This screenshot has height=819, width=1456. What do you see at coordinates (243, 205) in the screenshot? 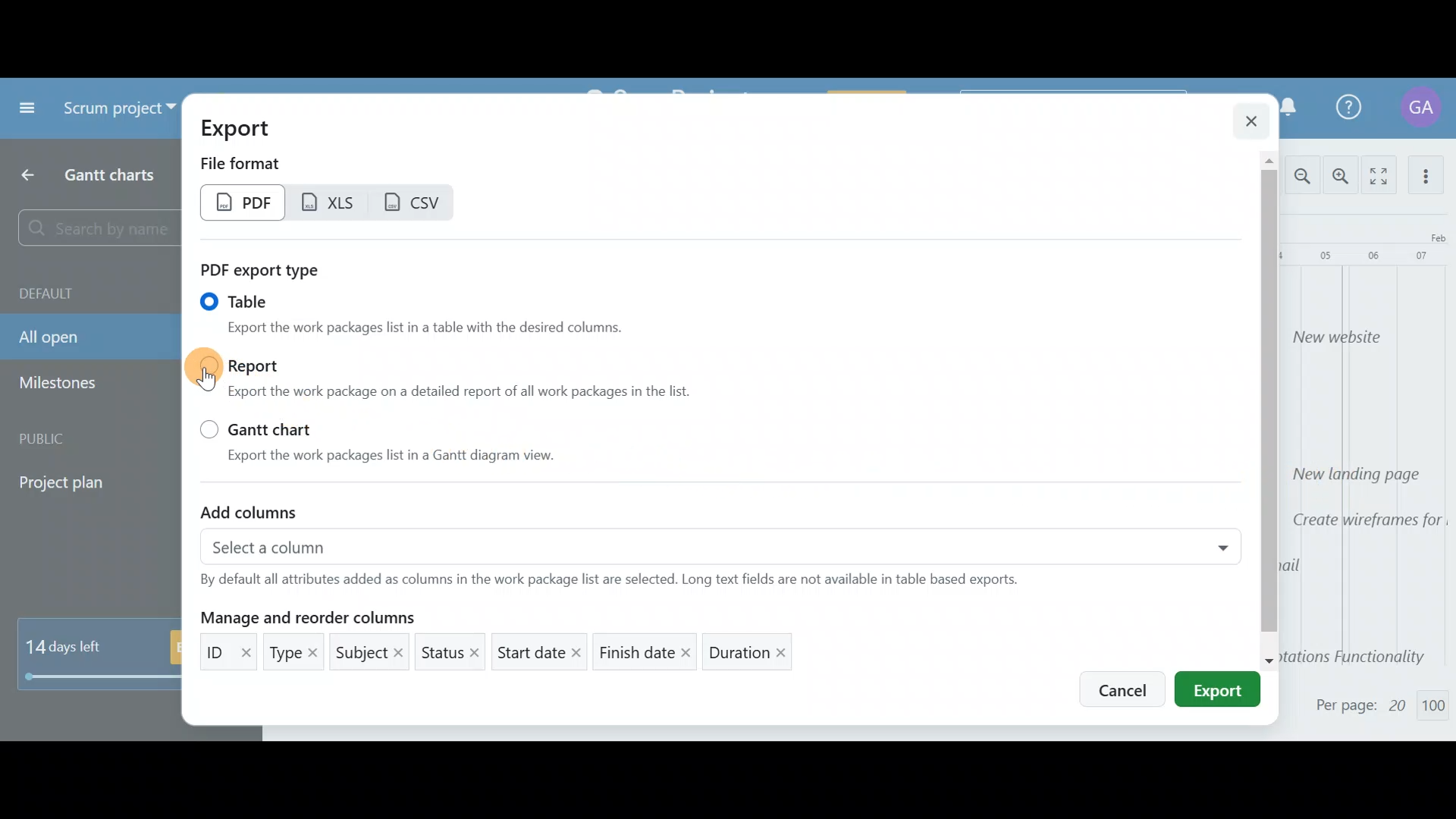
I see `PDF` at bounding box center [243, 205].